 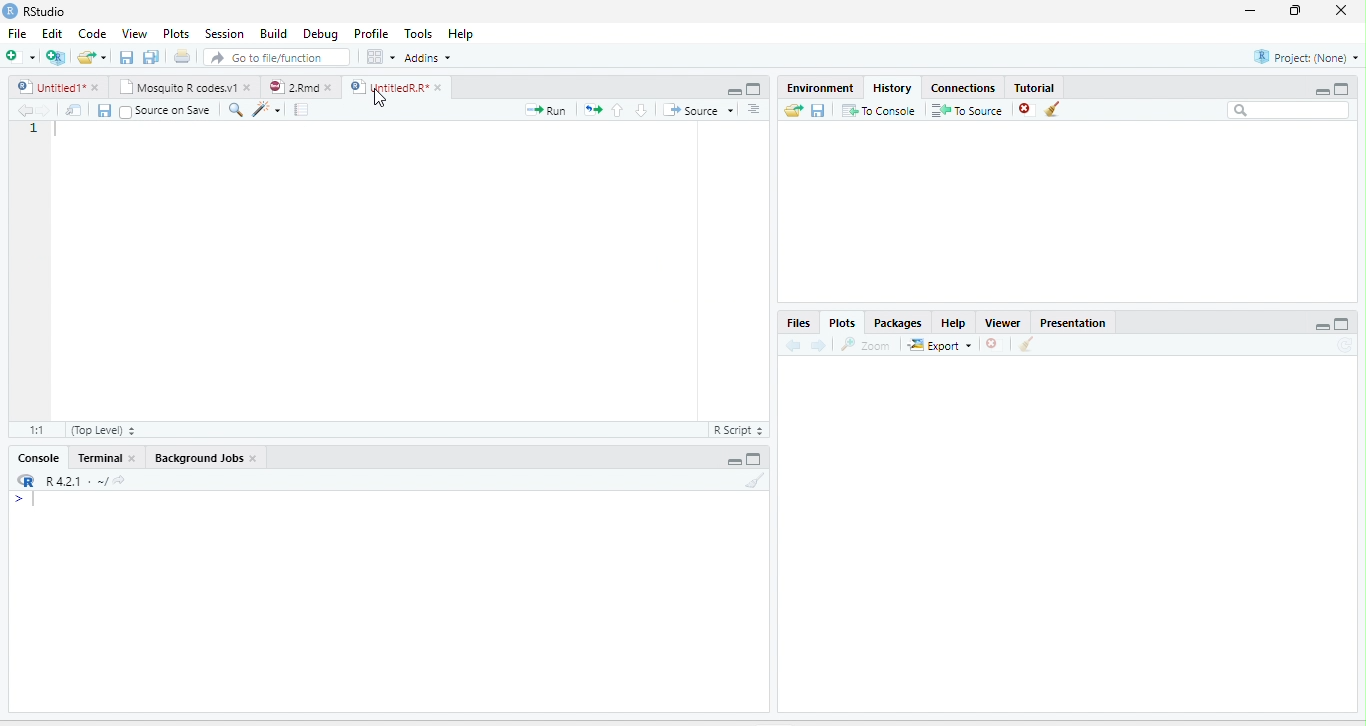 What do you see at coordinates (39, 458) in the screenshot?
I see `Console` at bounding box center [39, 458].